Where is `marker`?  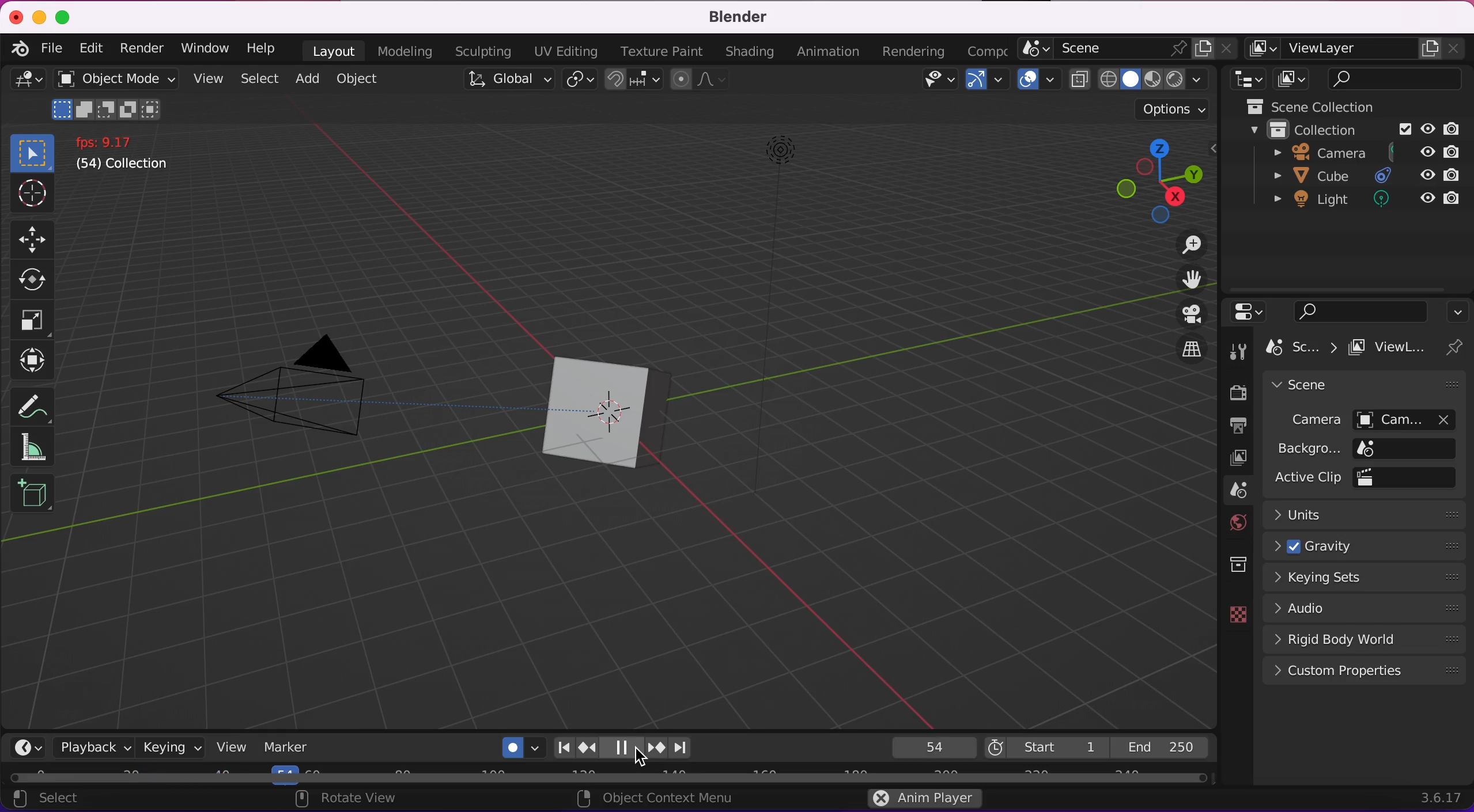 marker is located at coordinates (291, 748).